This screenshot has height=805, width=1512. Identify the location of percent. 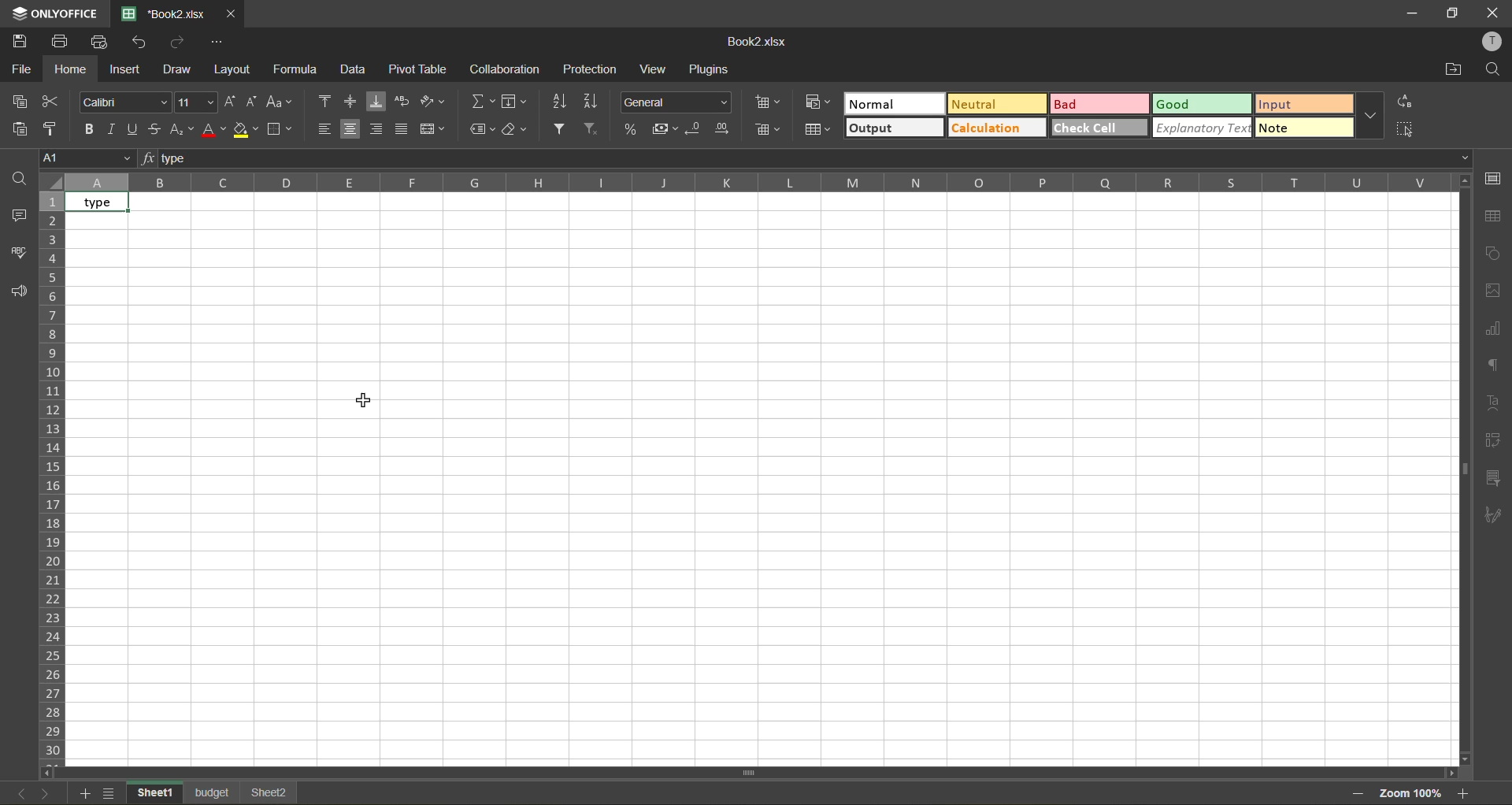
(634, 127).